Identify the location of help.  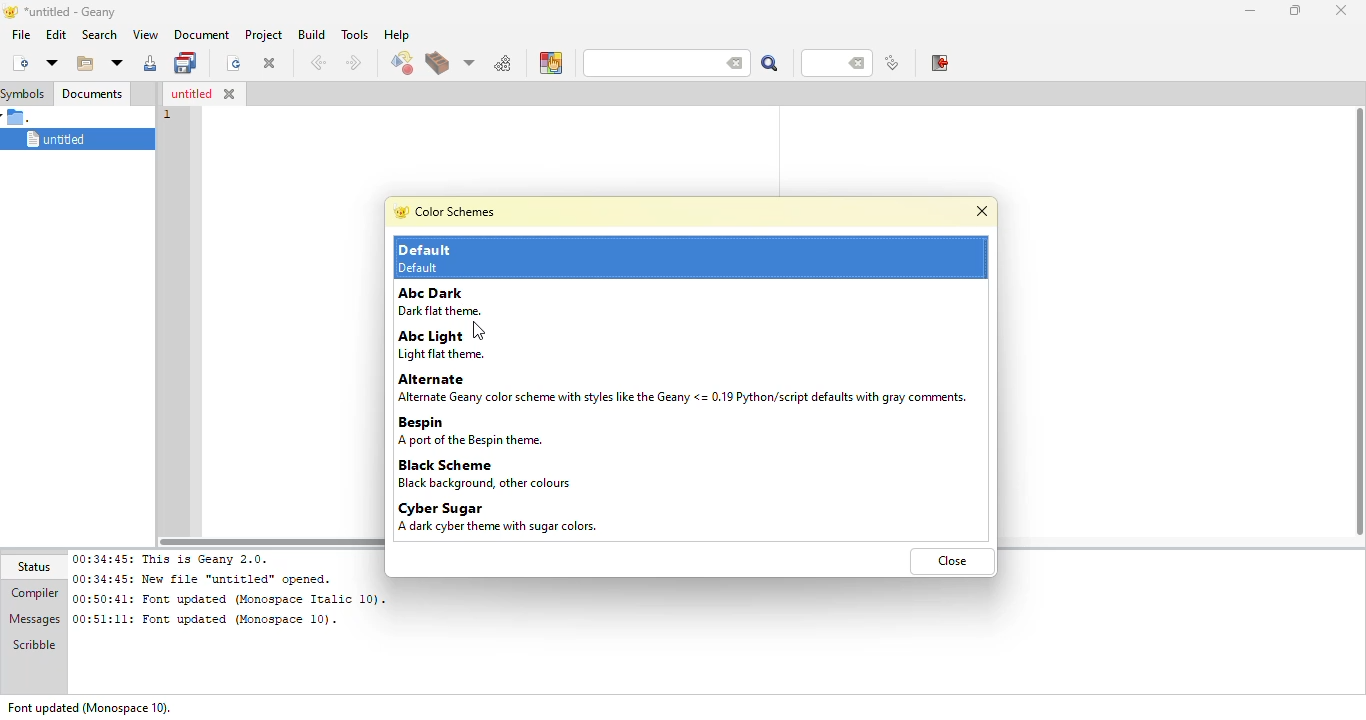
(395, 35).